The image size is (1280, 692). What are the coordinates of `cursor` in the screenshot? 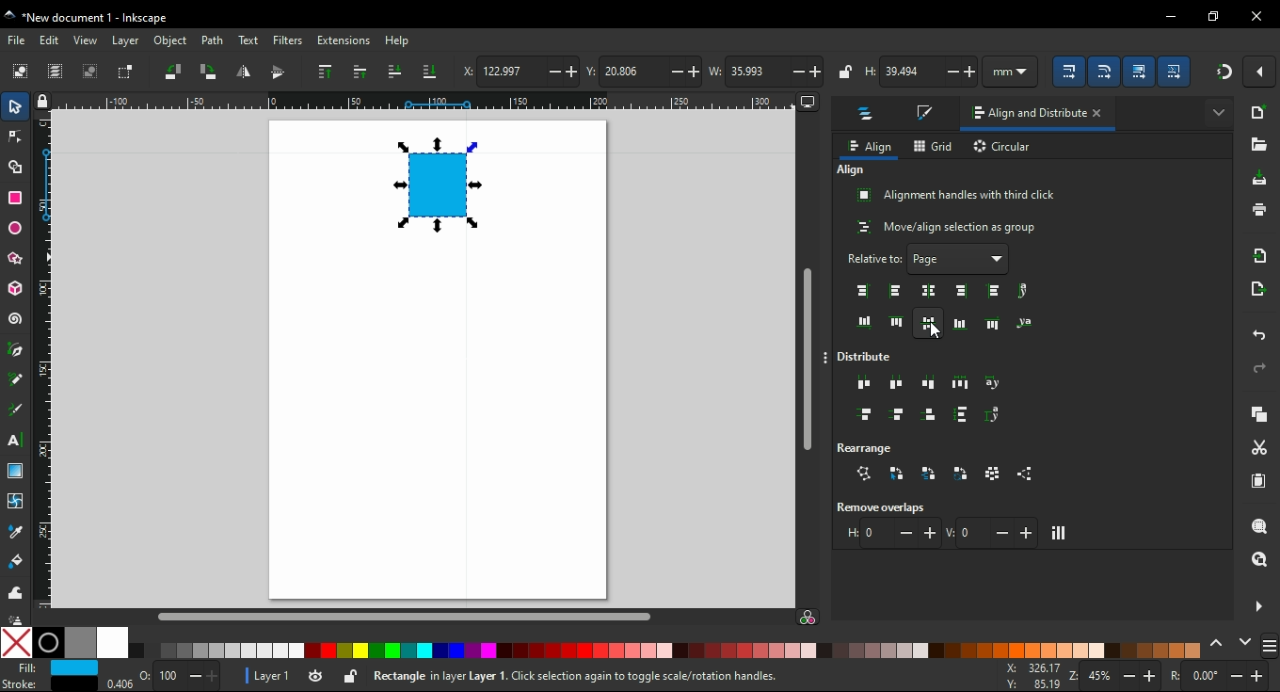 It's located at (936, 331).